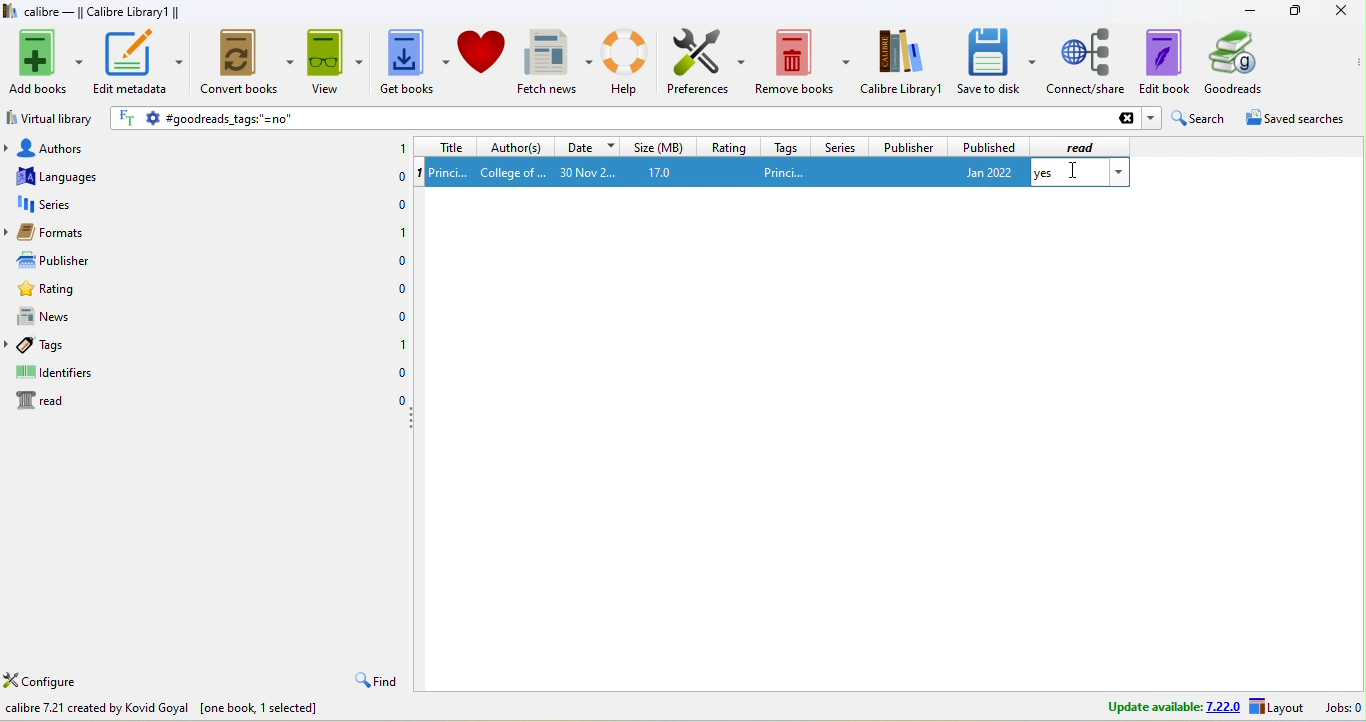 This screenshot has width=1366, height=722. What do you see at coordinates (657, 146) in the screenshot?
I see `size` at bounding box center [657, 146].